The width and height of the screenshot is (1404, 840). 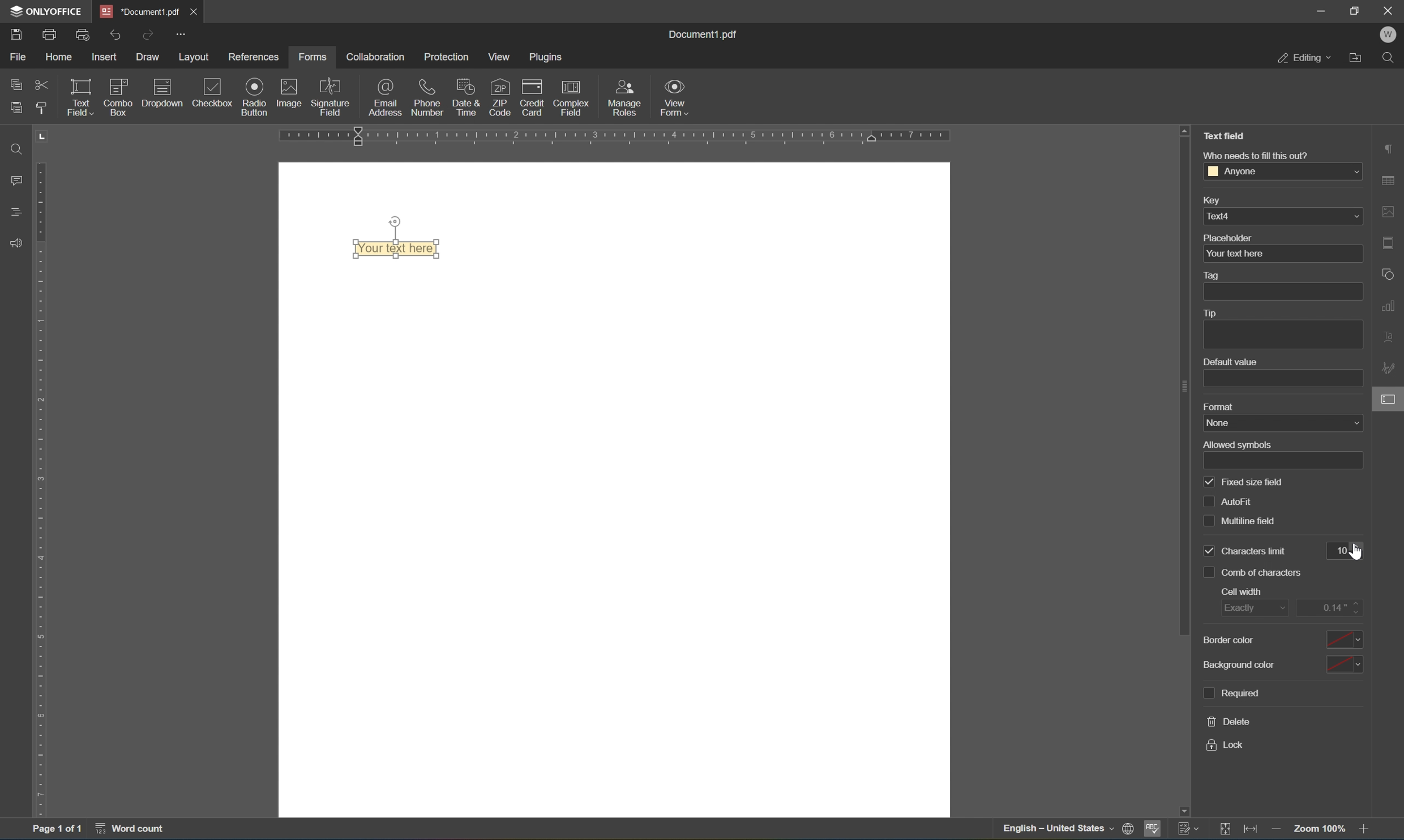 I want to click on Zoom out, so click(x=1280, y=830).